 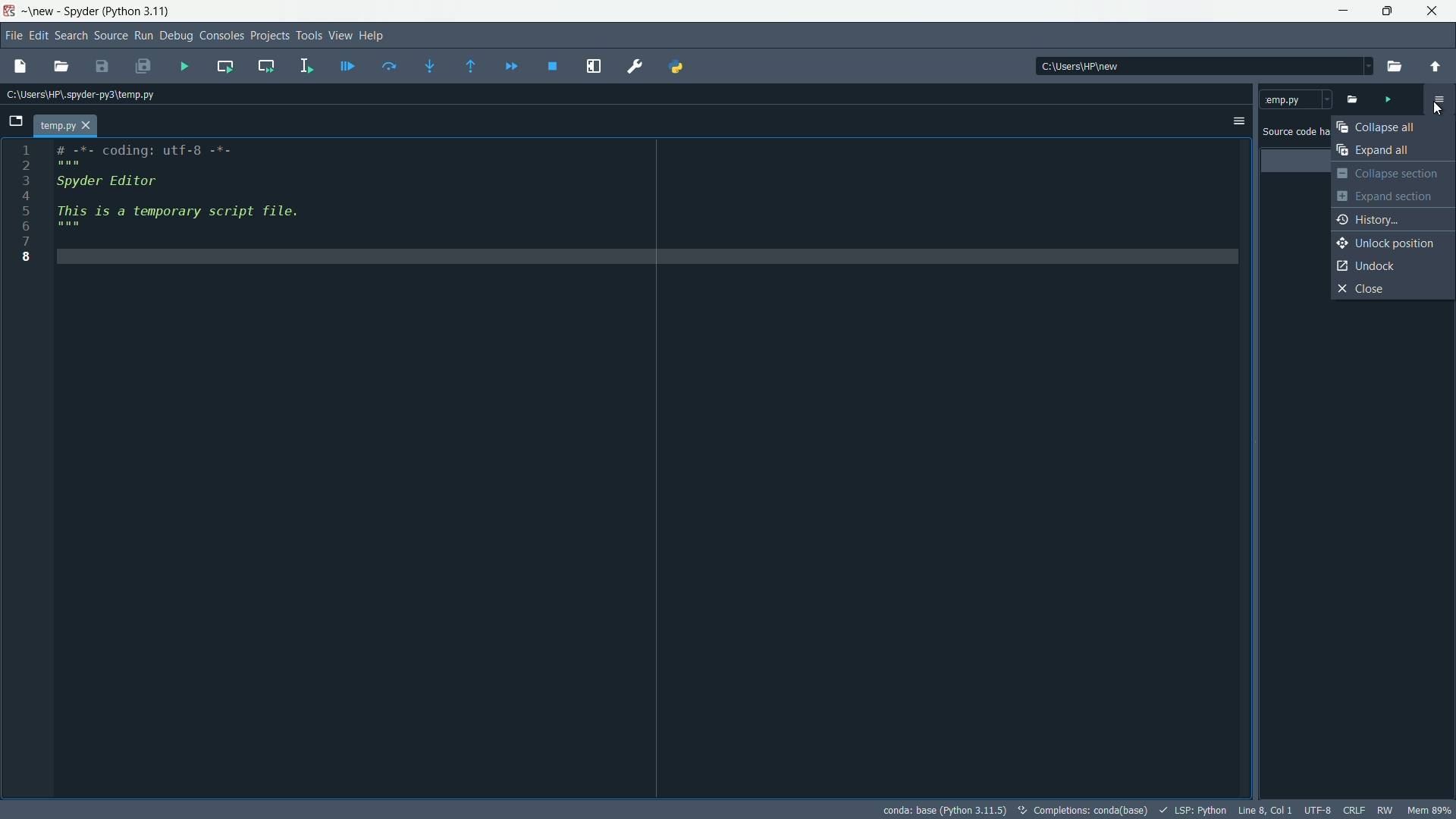 What do you see at coordinates (29, 180) in the screenshot?
I see `3` at bounding box center [29, 180].